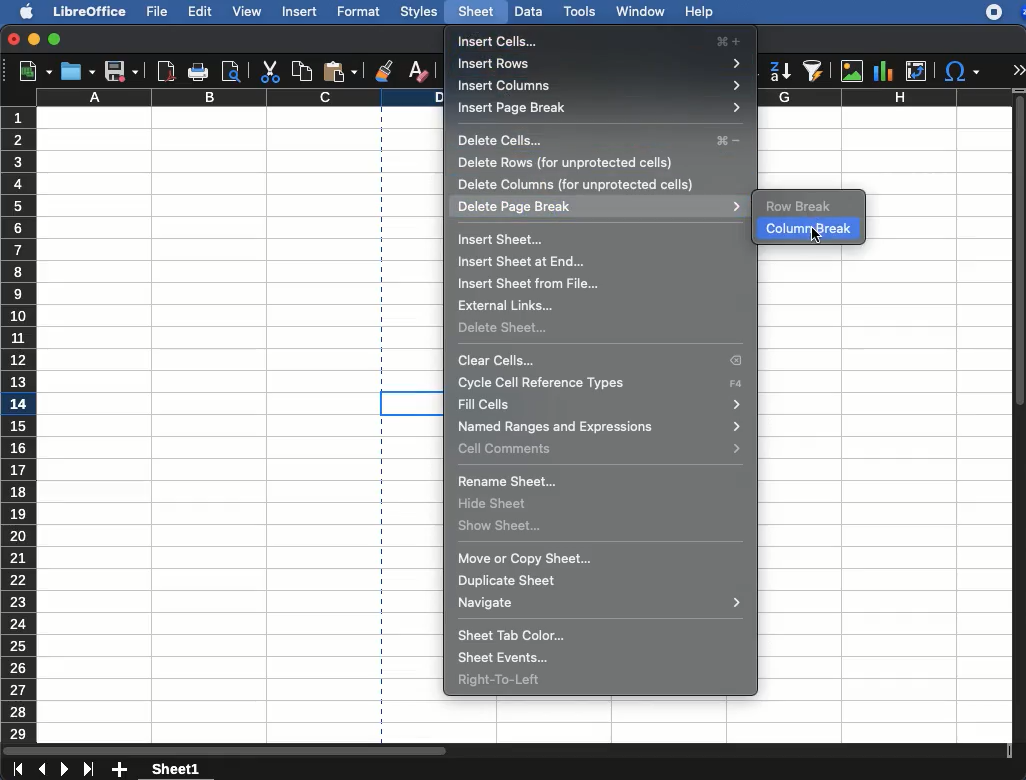 This screenshot has width=1026, height=780. I want to click on cut, so click(269, 73).